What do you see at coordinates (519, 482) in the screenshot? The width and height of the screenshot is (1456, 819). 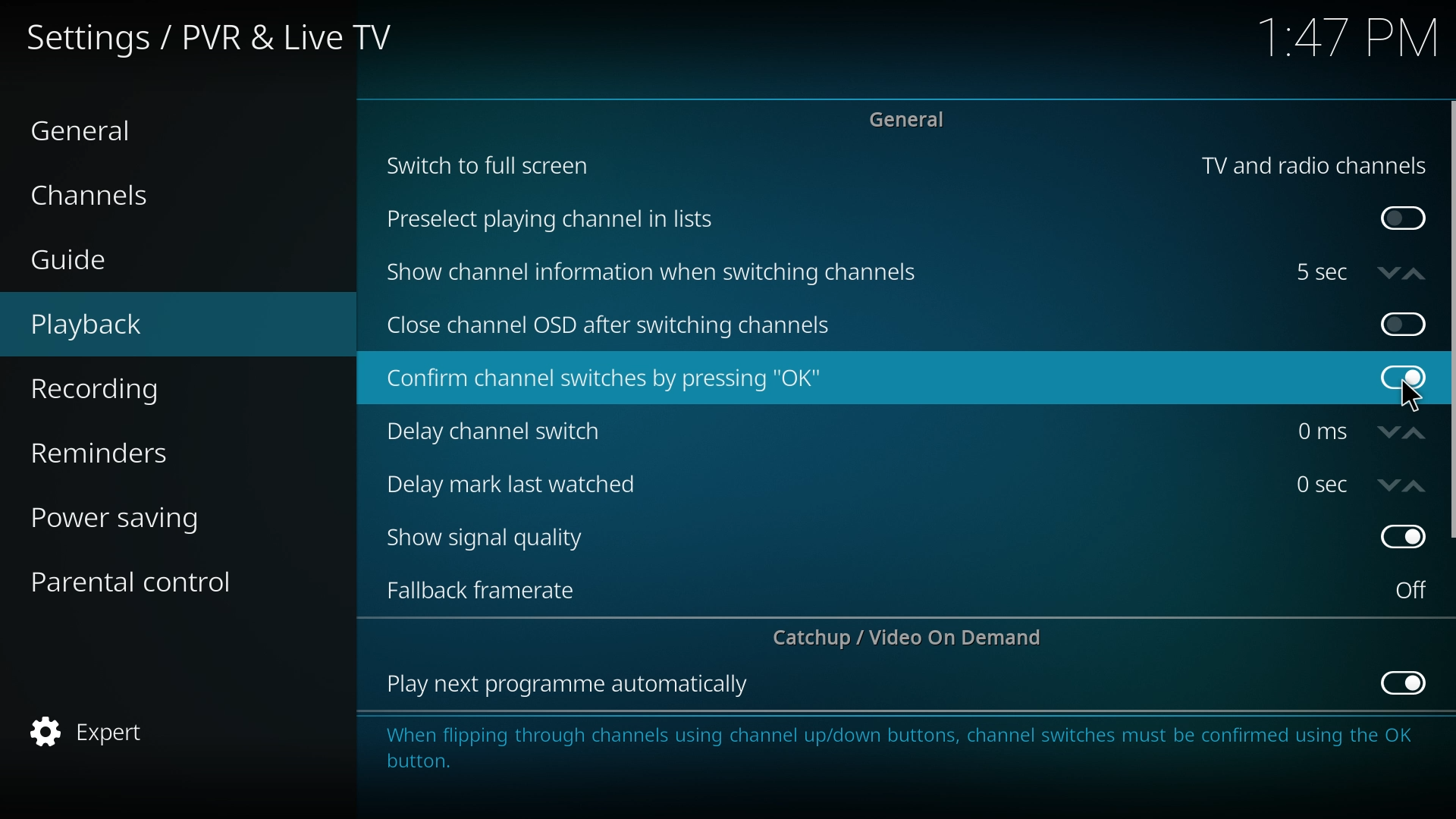 I see `delay mark last watched` at bounding box center [519, 482].